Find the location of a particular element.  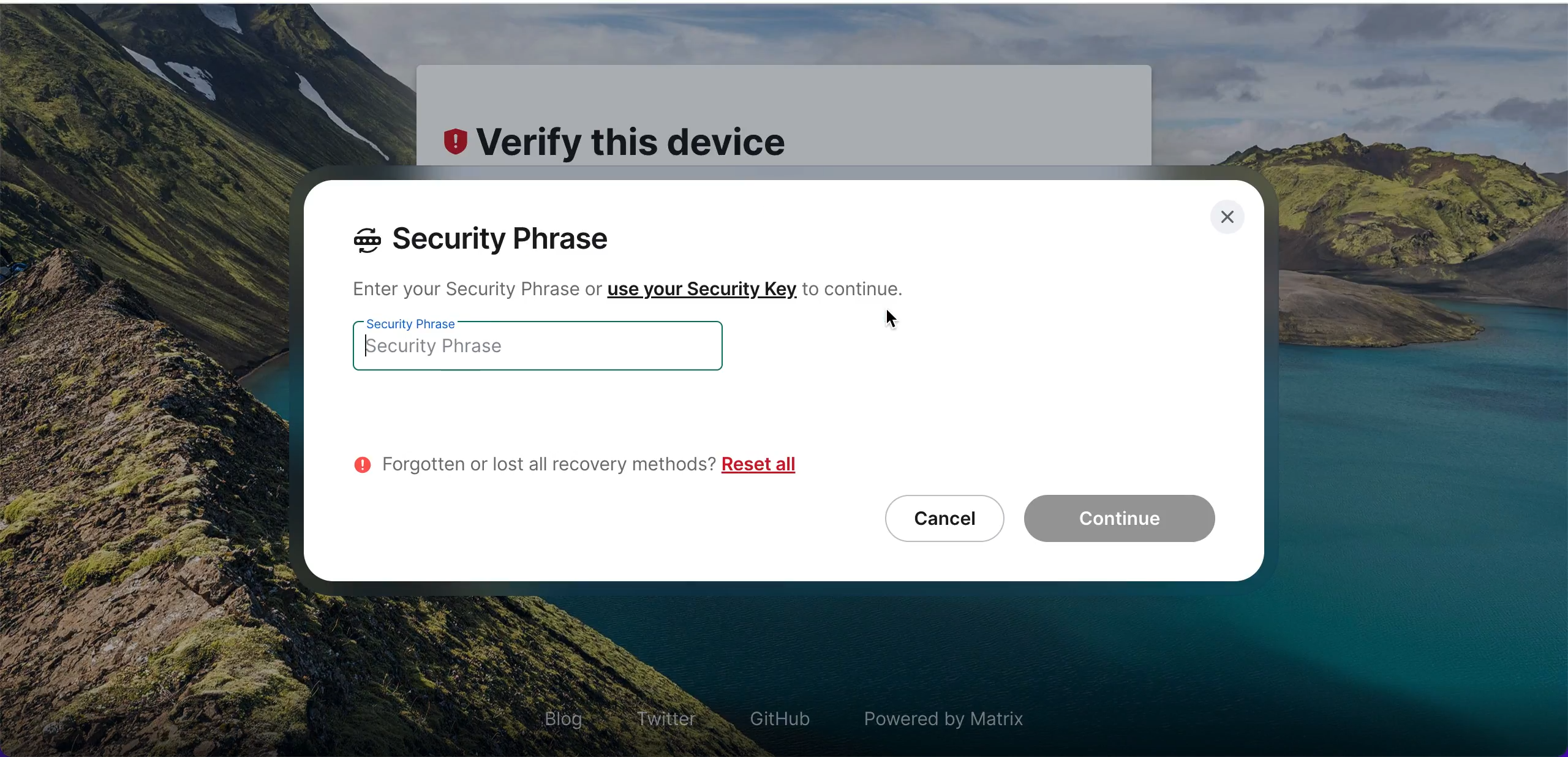

github is located at coordinates (778, 717).